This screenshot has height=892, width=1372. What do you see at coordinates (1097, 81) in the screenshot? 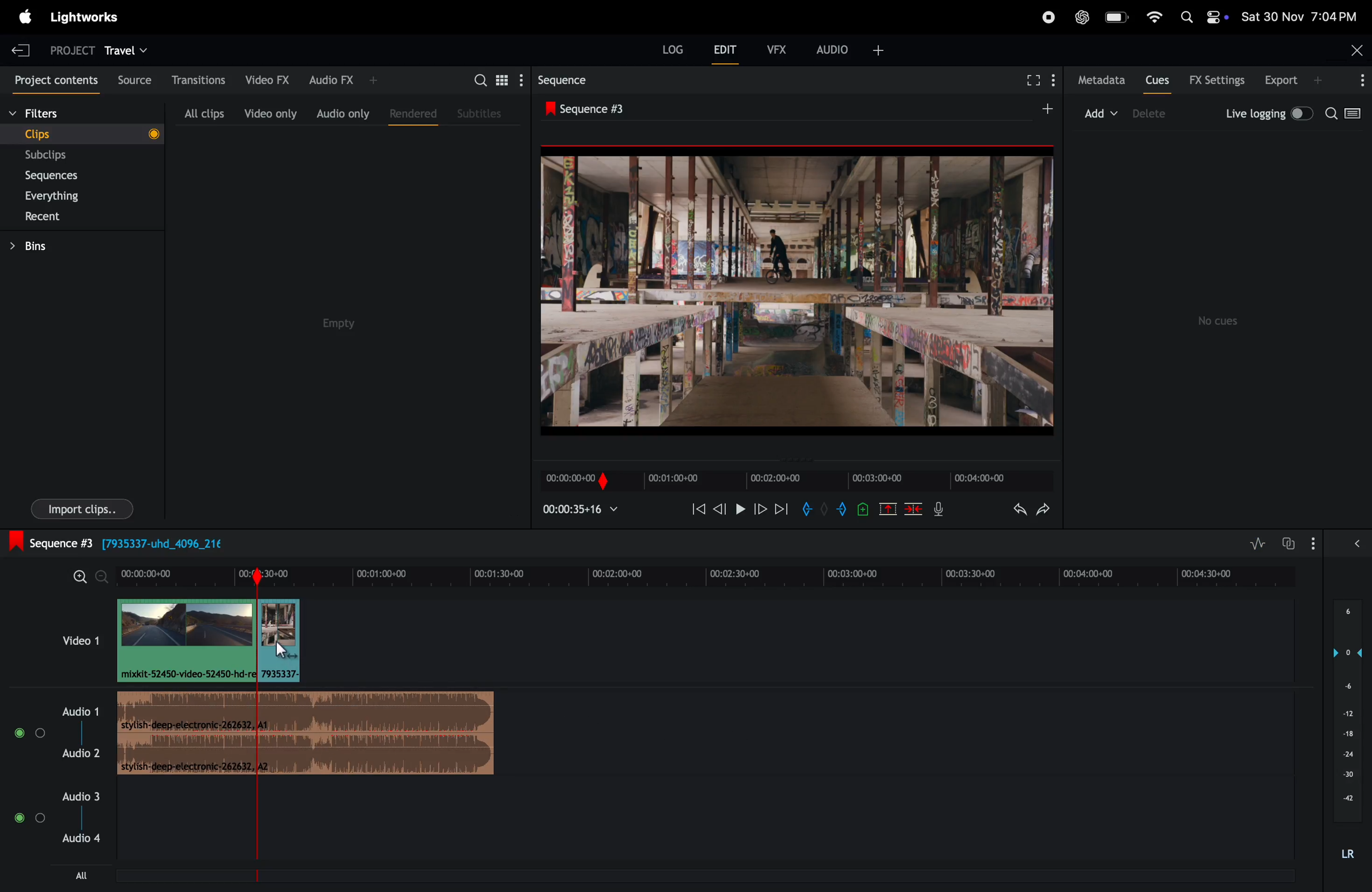
I see `metadata` at bounding box center [1097, 81].